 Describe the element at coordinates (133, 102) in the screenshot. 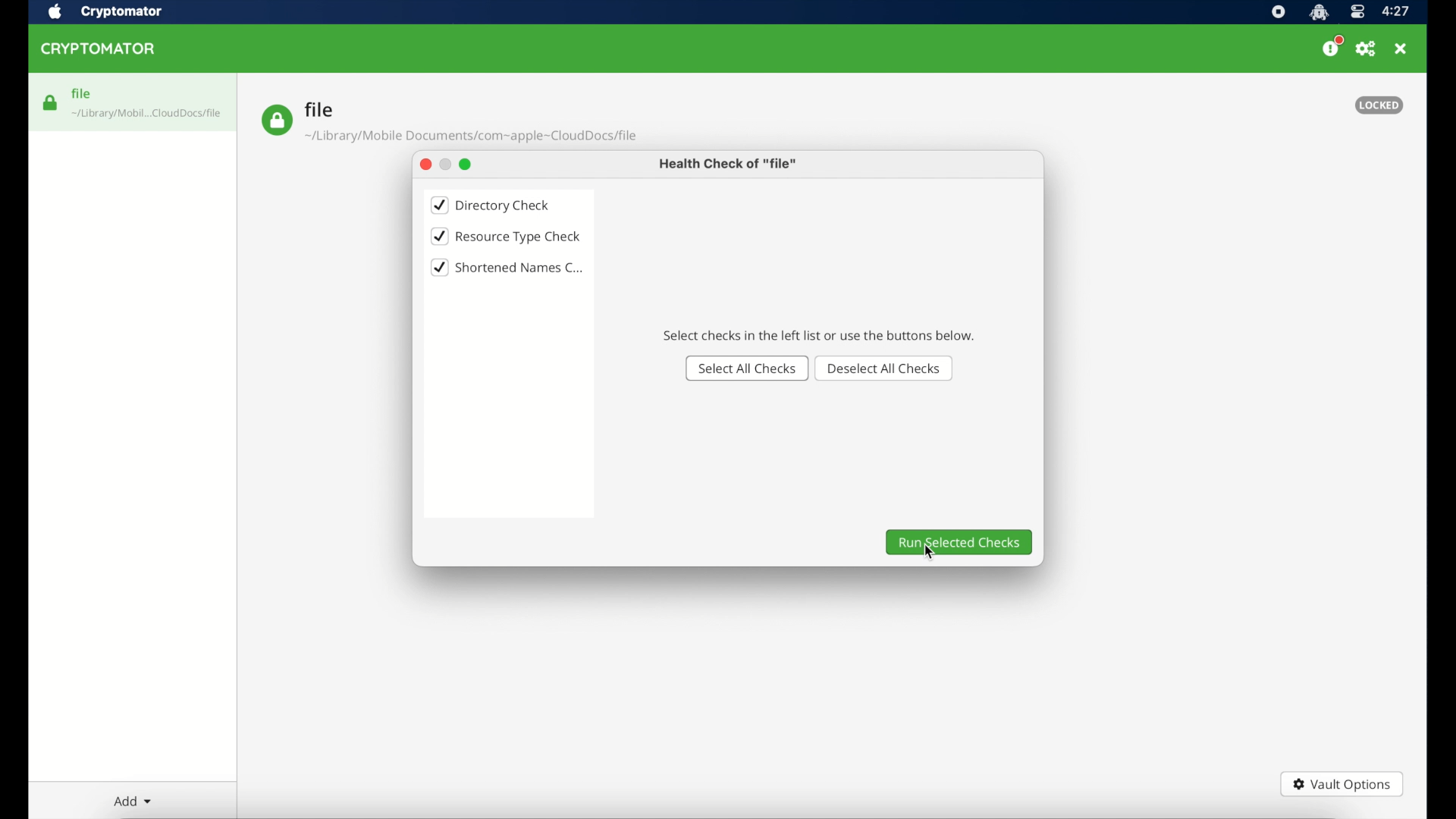

I see `file highlighted` at that location.